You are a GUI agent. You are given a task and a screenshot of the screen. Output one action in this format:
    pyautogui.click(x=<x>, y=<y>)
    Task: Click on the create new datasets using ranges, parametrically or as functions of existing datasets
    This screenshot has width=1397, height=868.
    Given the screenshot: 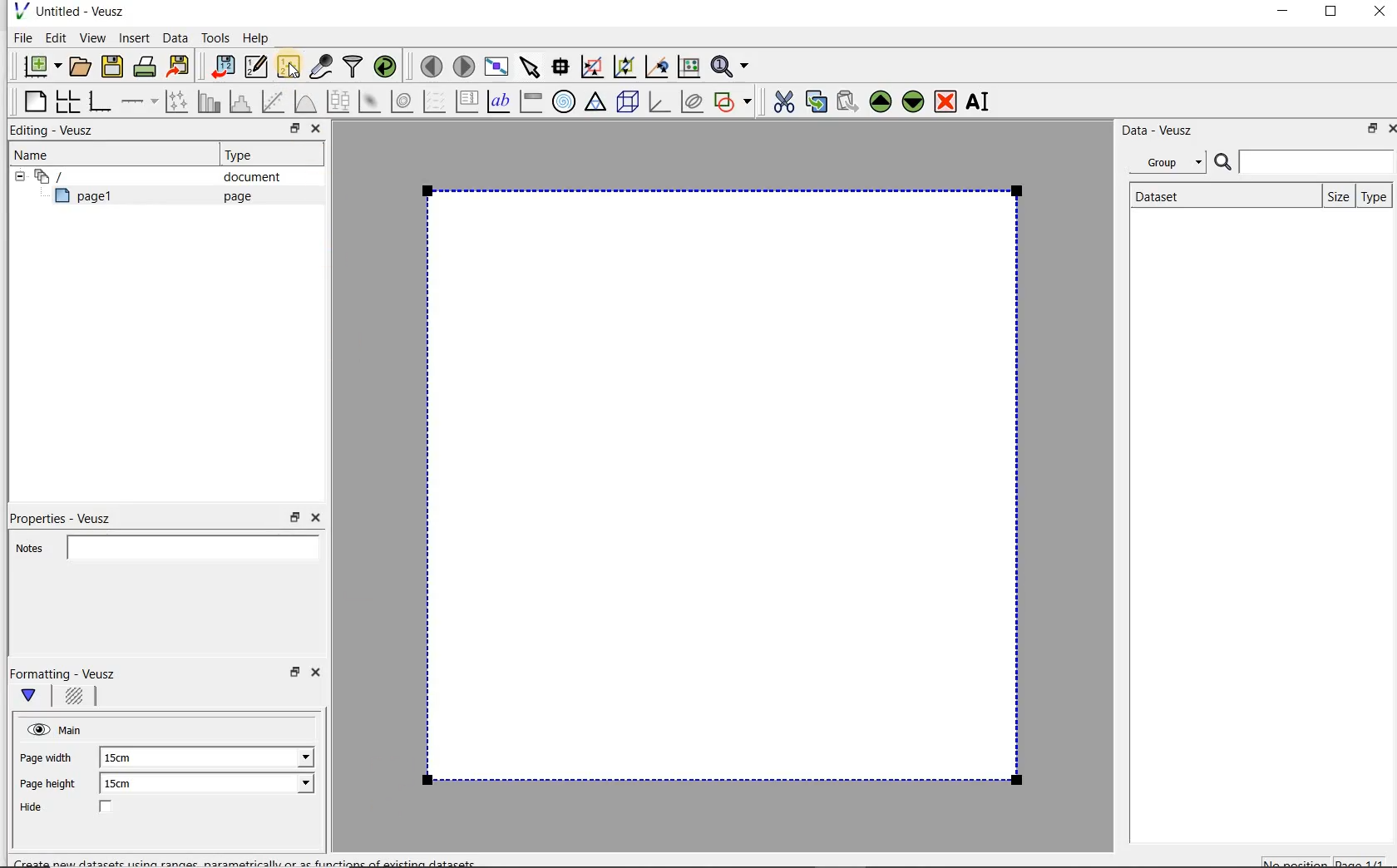 What is the action you would take?
    pyautogui.click(x=289, y=67)
    